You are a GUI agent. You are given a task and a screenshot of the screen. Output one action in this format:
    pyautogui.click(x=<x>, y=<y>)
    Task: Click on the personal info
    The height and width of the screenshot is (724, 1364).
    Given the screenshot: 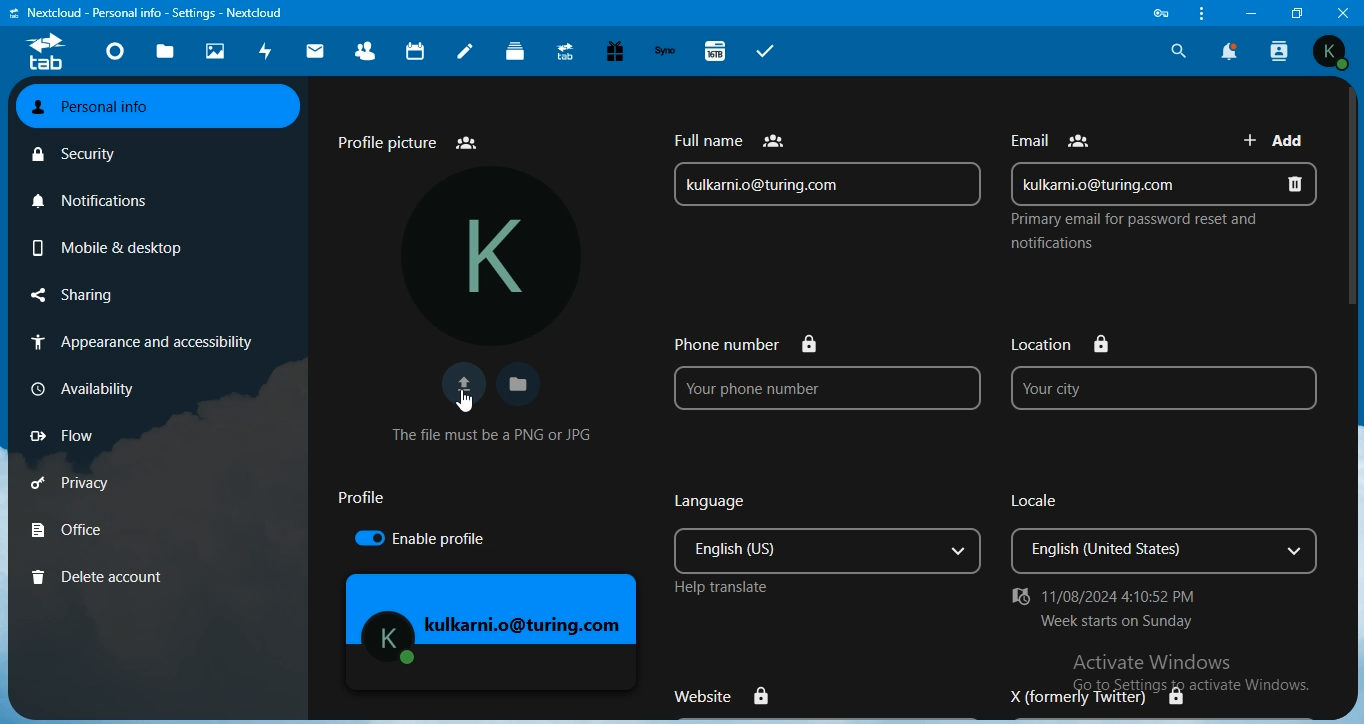 What is the action you would take?
    pyautogui.click(x=159, y=108)
    